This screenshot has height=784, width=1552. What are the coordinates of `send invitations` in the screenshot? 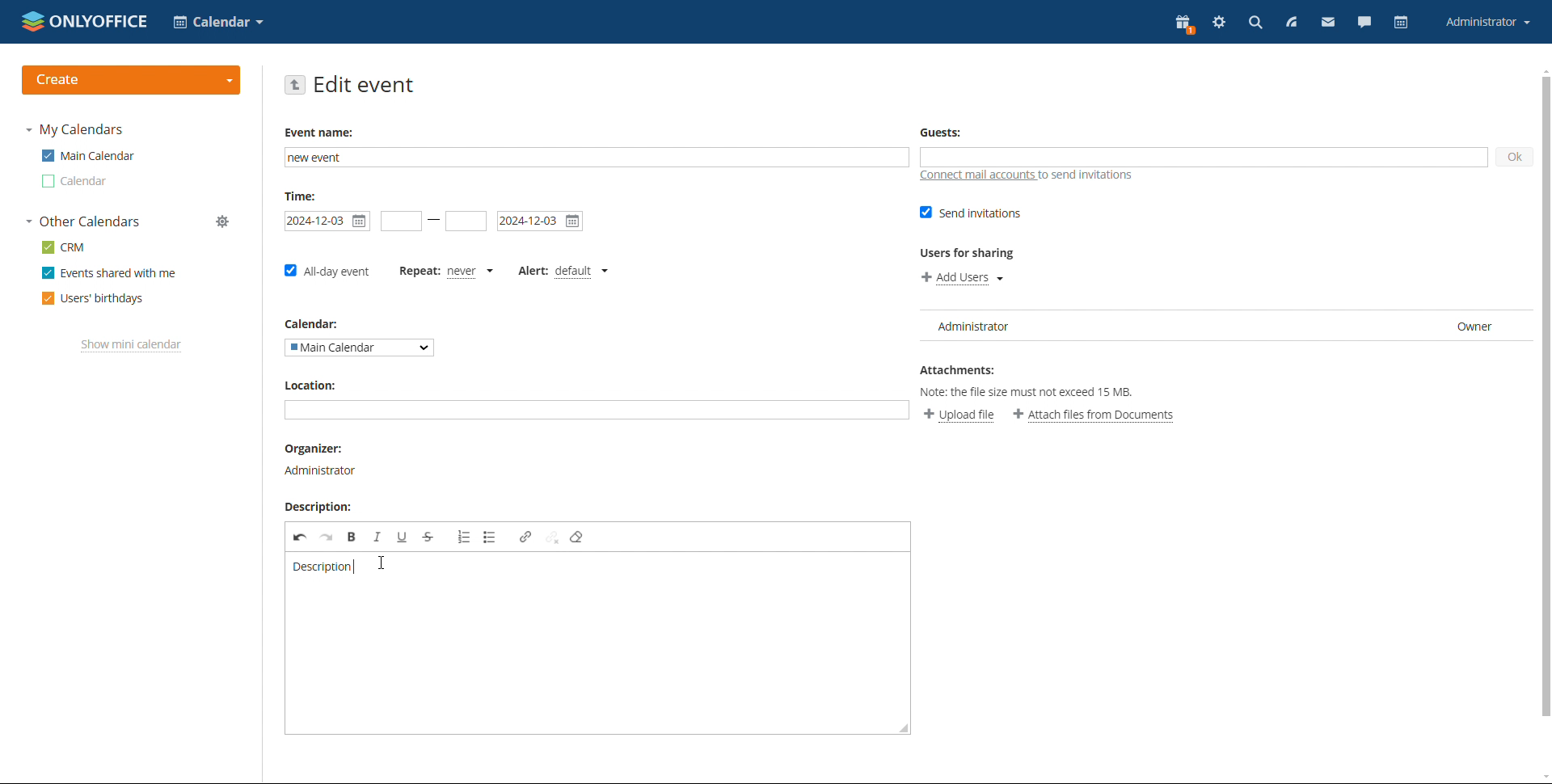 It's located at (972, 213).